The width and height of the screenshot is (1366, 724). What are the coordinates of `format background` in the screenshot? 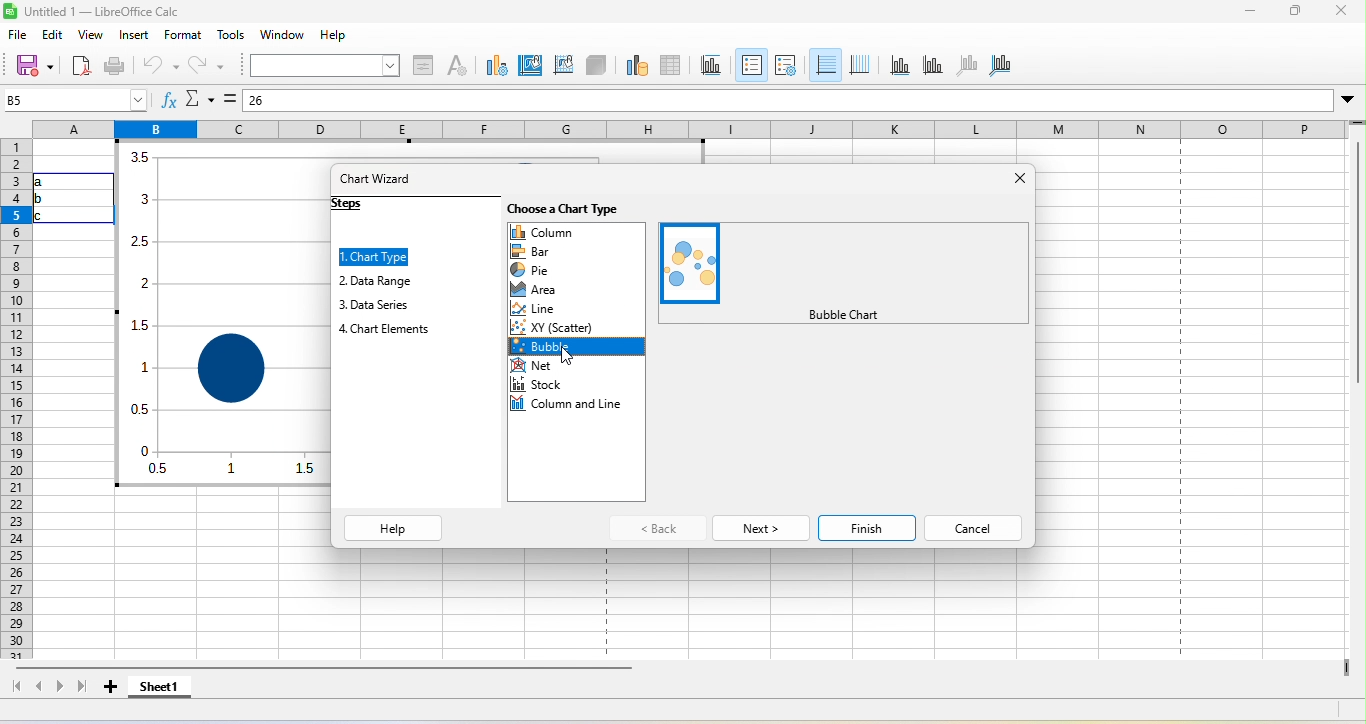 It's located at (529, 68).